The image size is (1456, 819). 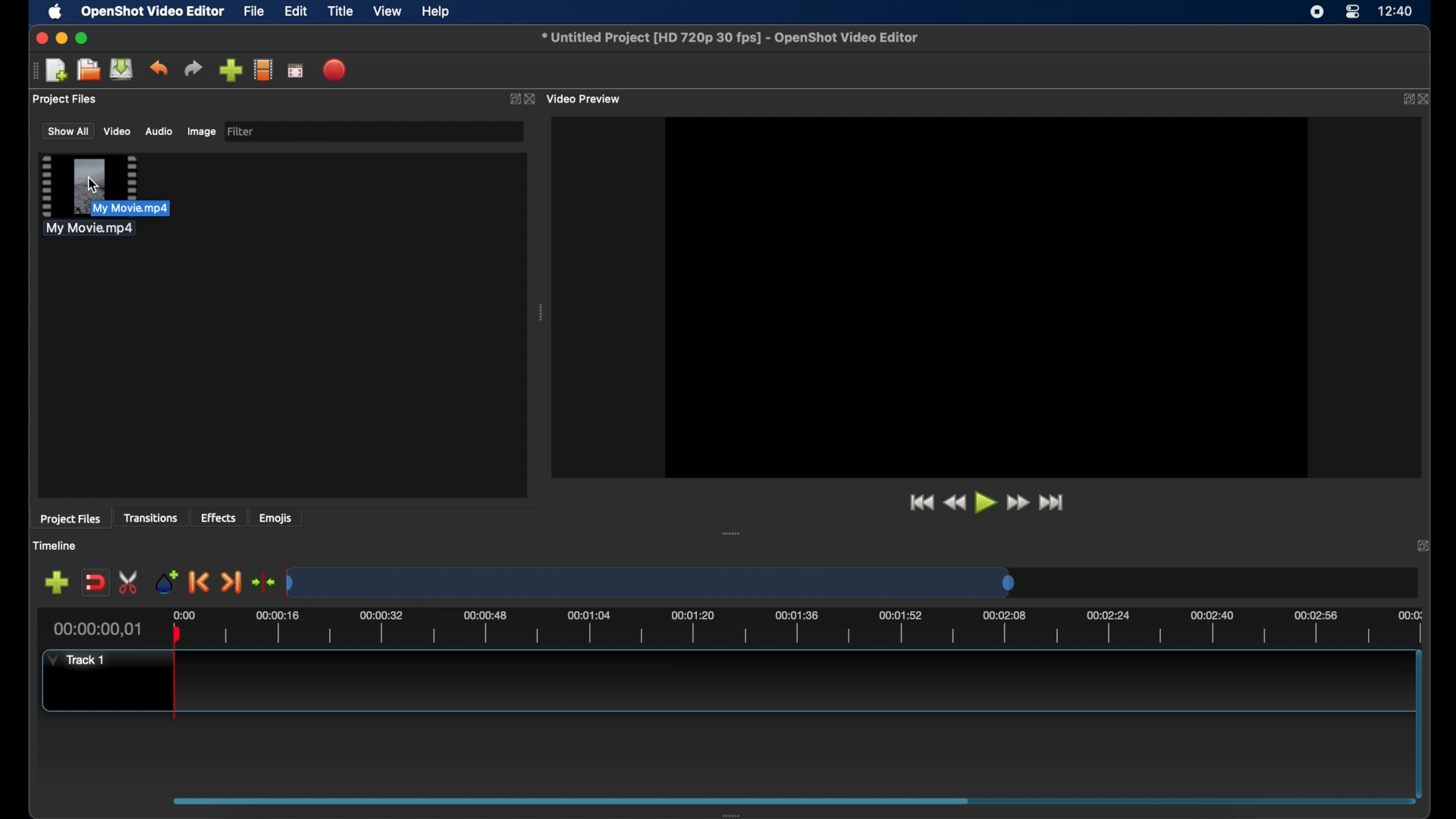 What do you see at coordinates (95, 583) in the screenshot?
I see `disable snapping` at bounding box center [95, 583].